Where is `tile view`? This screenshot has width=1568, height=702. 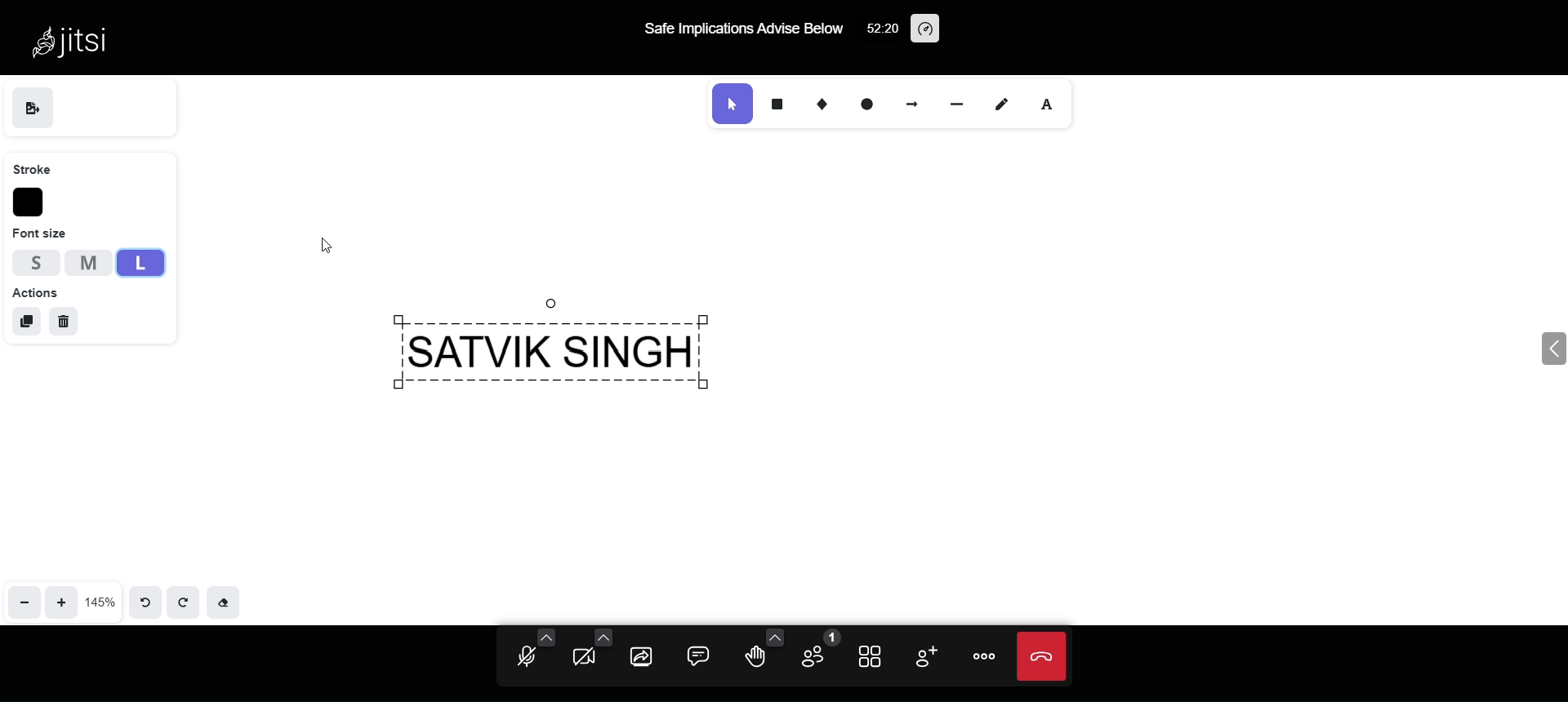 tile view is located at coordinates (874, 659).